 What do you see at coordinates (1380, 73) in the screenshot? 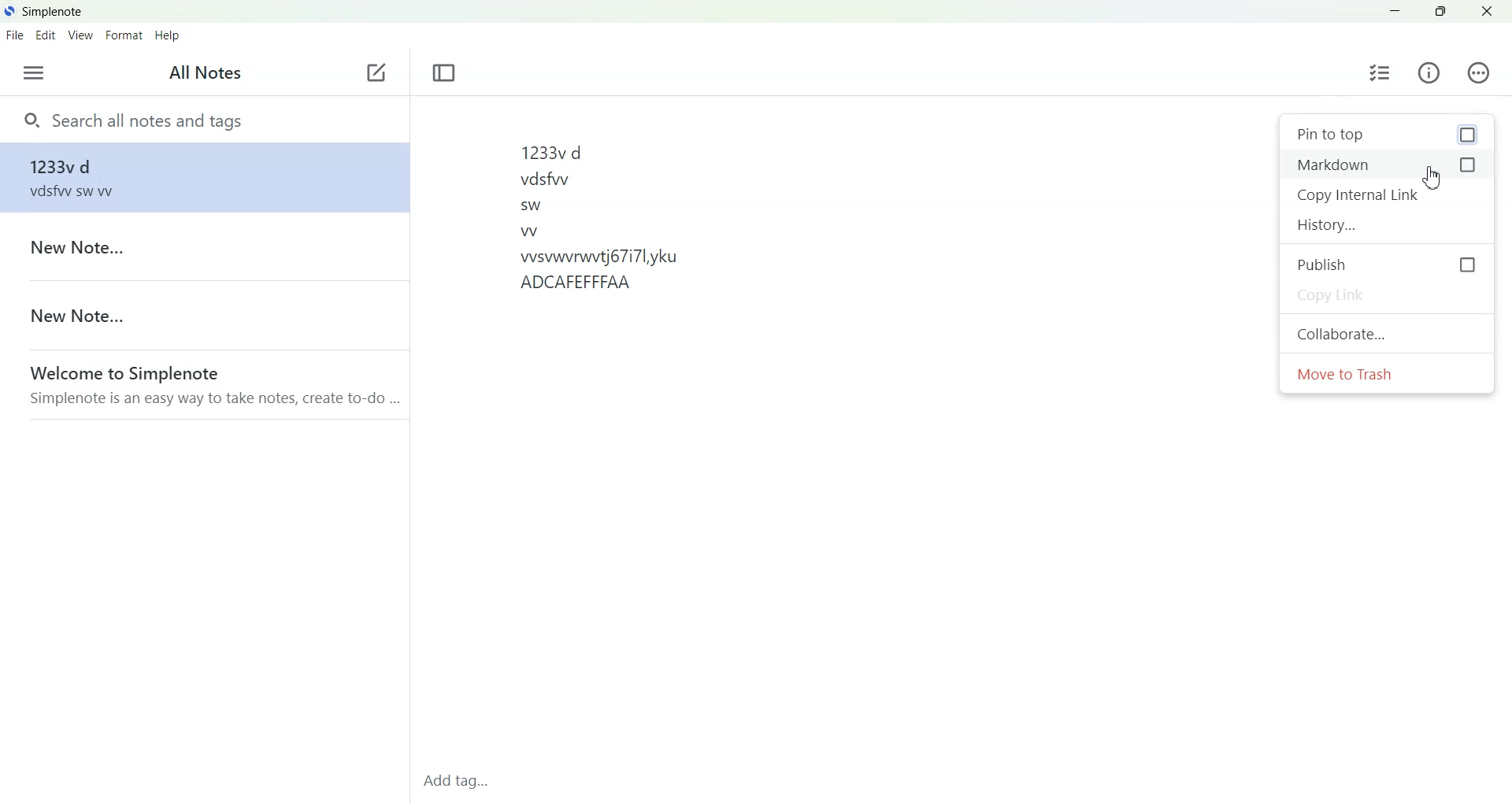
I see `Insert Checklist` at bounding box center [1380, 73].